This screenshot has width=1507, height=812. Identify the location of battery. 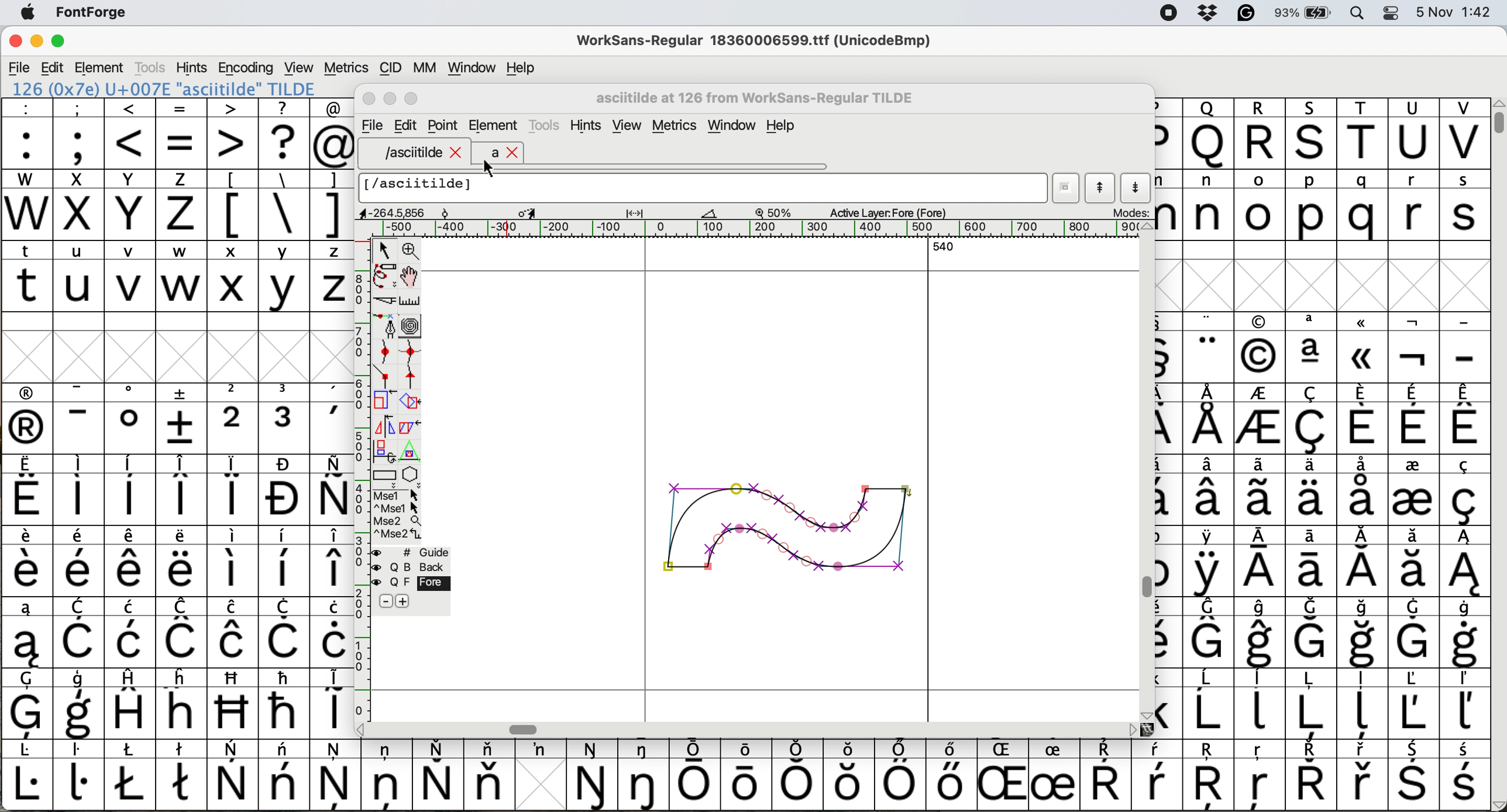
(1308, 12).